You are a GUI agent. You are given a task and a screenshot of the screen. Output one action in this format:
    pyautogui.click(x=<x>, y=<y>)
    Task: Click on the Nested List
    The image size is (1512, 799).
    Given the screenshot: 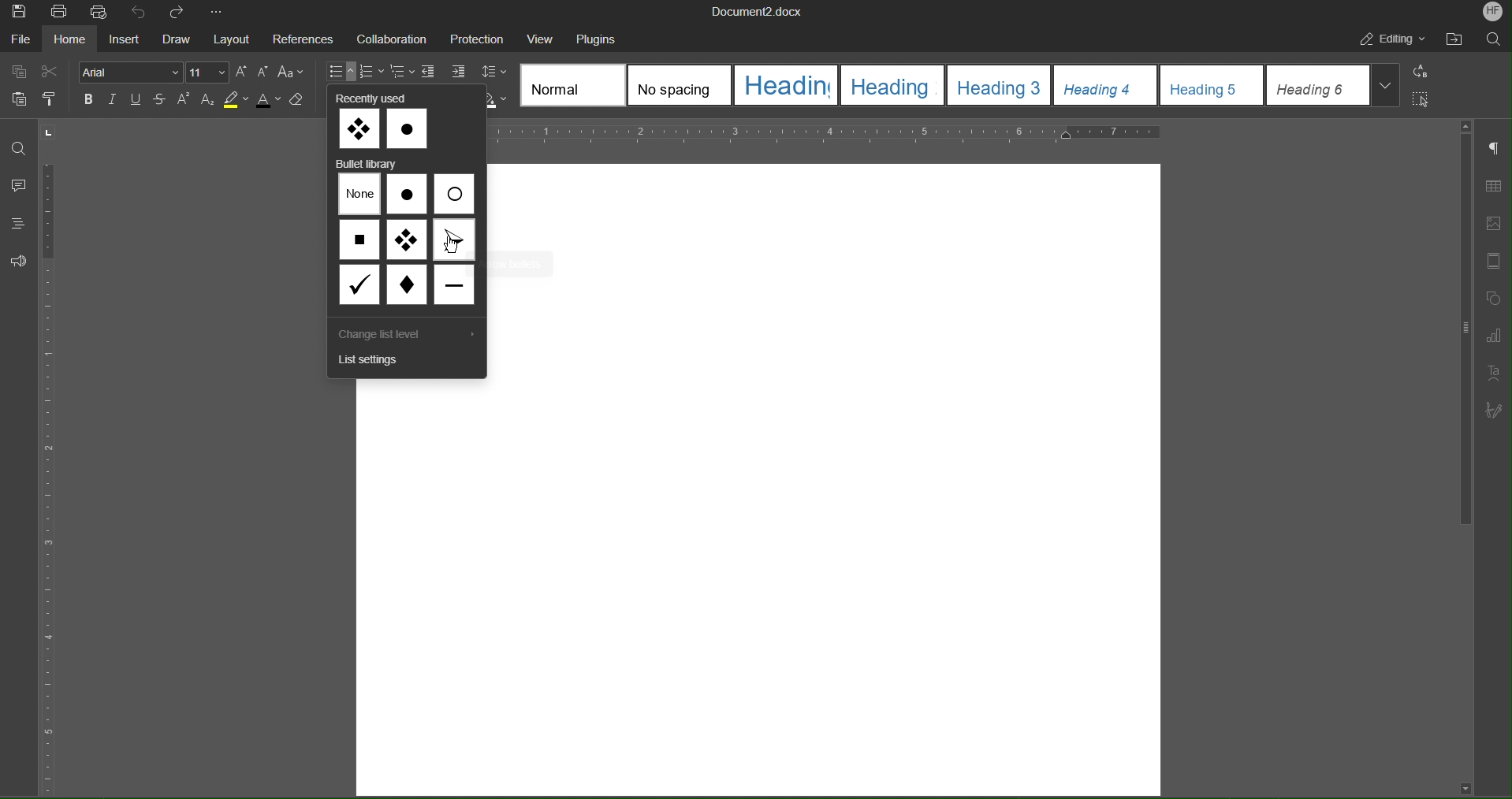 What is the action you would take?
    pyautogui.click(x=403, y=70)
    